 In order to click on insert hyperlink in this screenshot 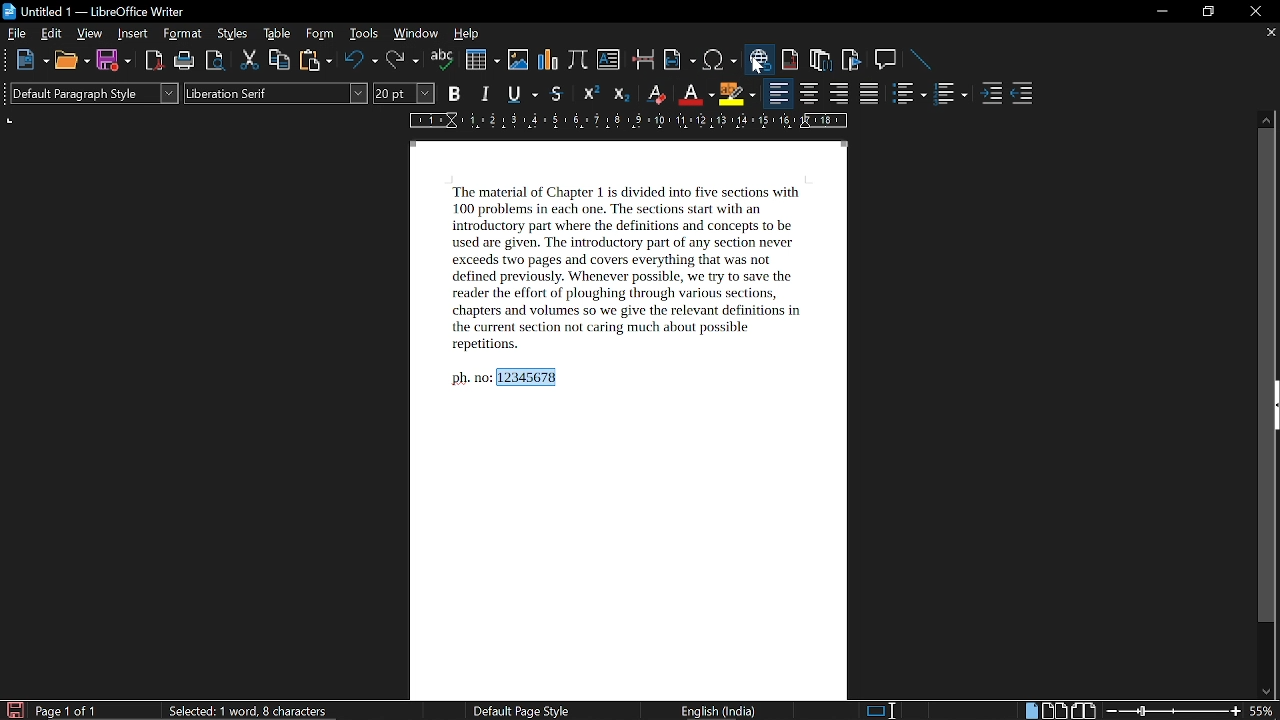, I will do `click(758, 59)`.